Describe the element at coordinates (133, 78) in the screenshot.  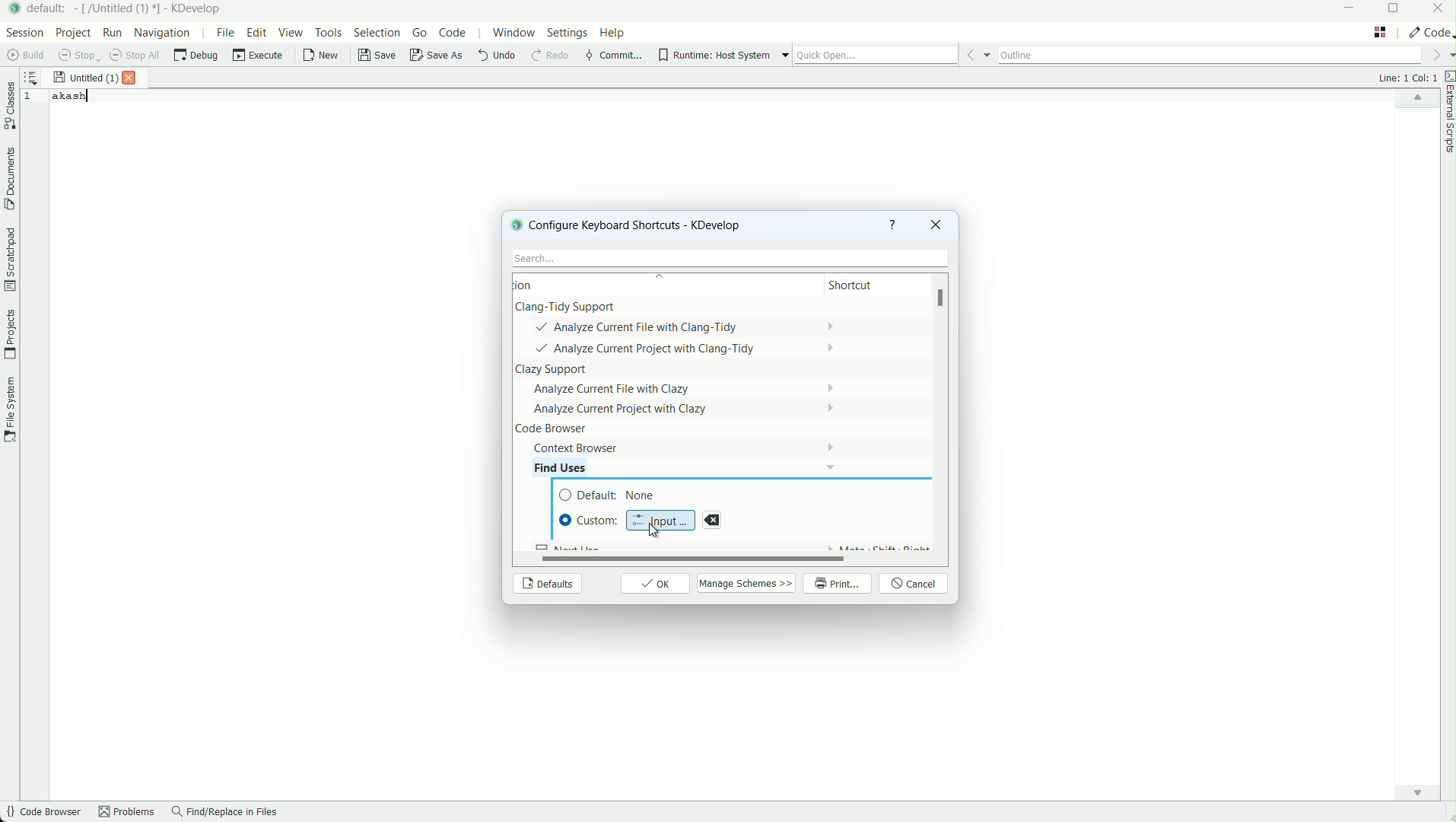
I see `close file` at that location.